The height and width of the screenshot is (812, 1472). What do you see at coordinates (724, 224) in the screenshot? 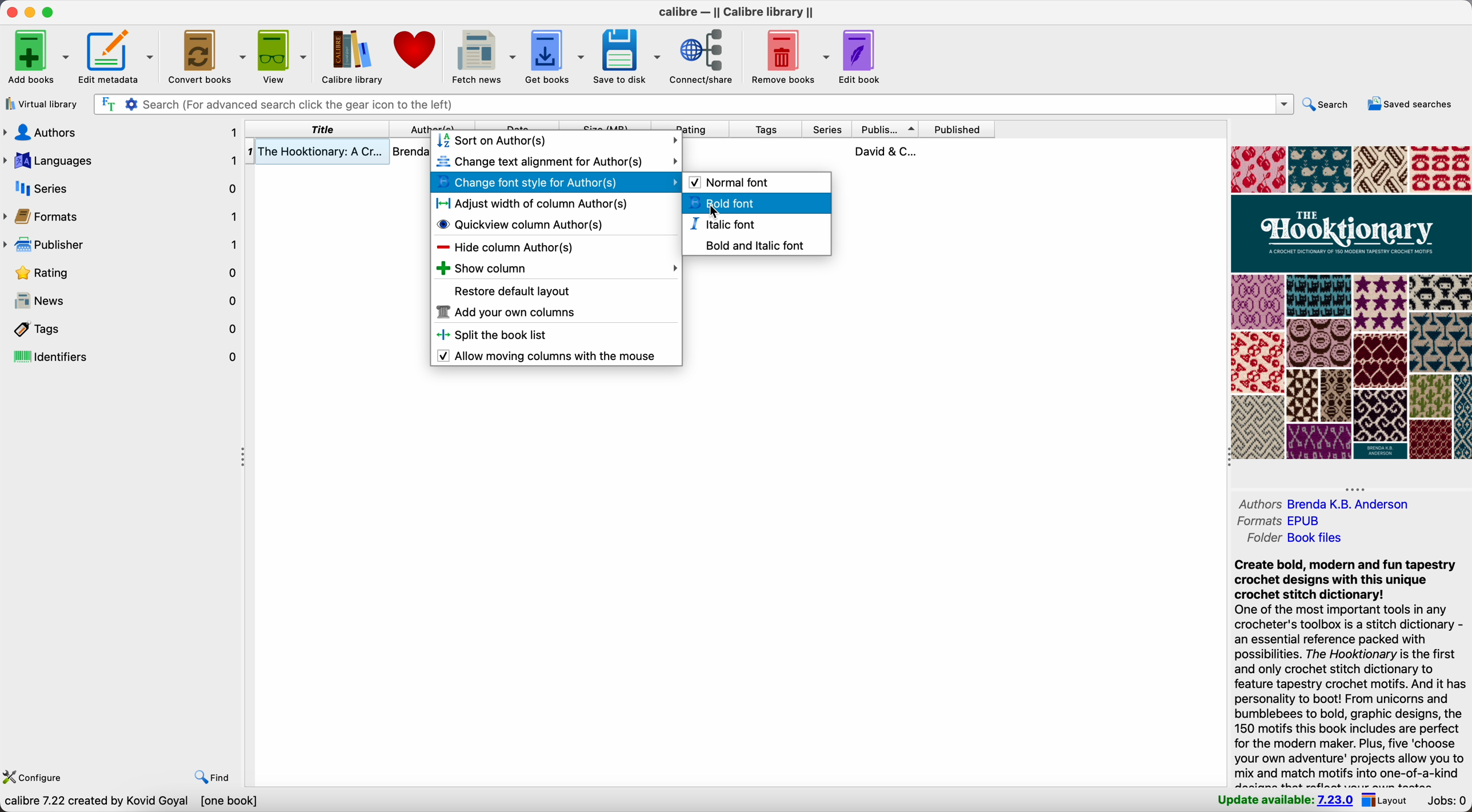
I see `italic font` at bounding box center [724, 224].